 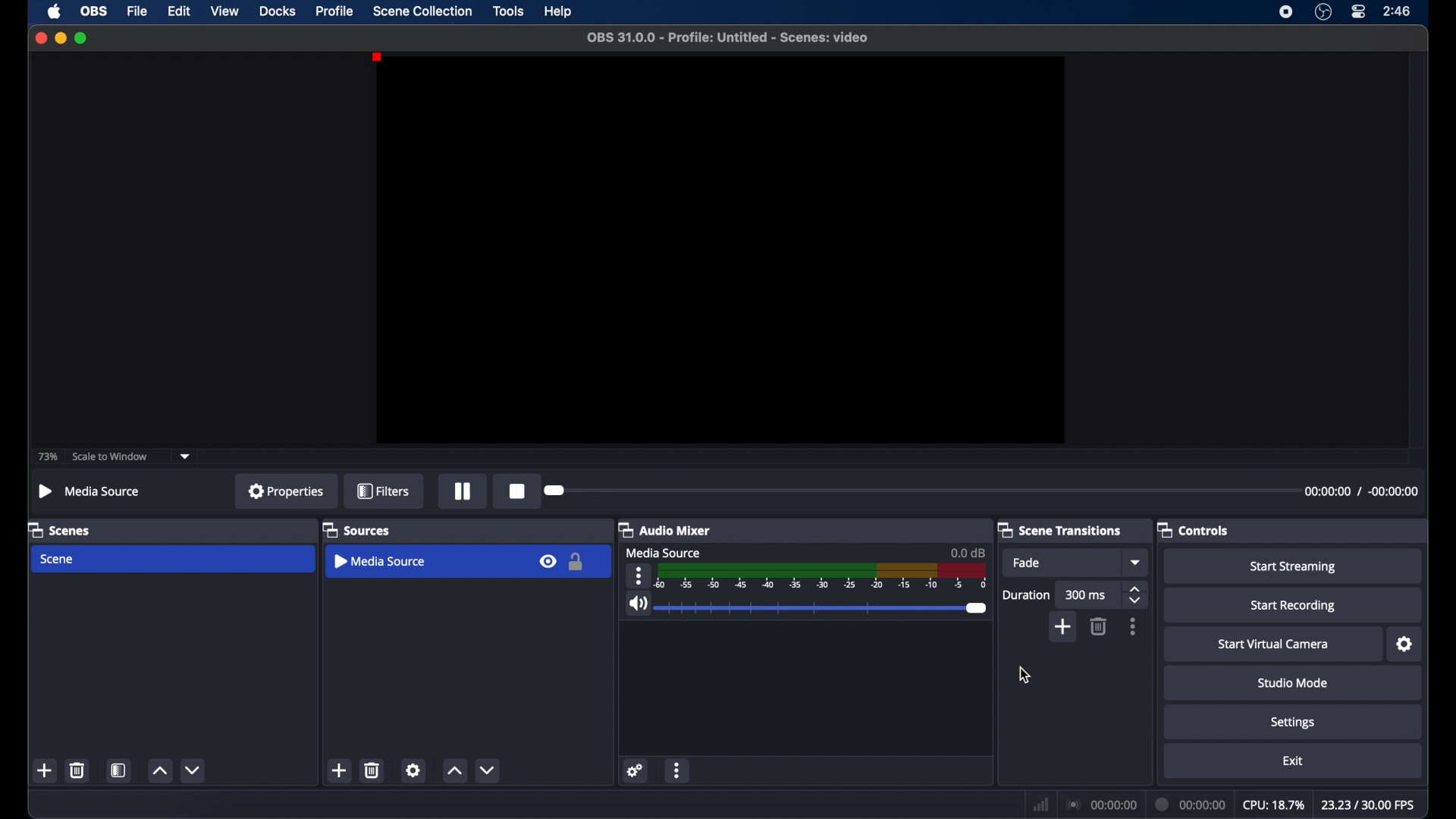 I want to click on Scene Transitions, so click(x=1059, y=529).